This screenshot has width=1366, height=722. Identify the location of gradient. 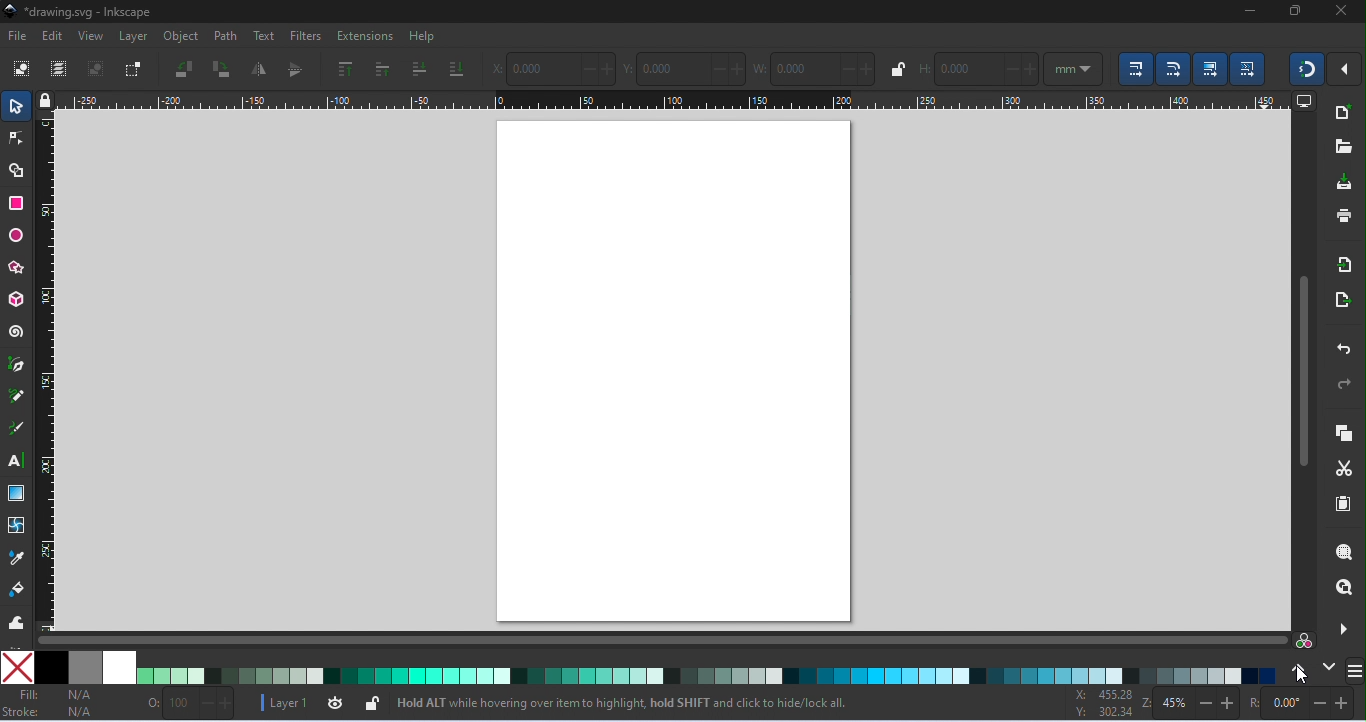
(17, 493).